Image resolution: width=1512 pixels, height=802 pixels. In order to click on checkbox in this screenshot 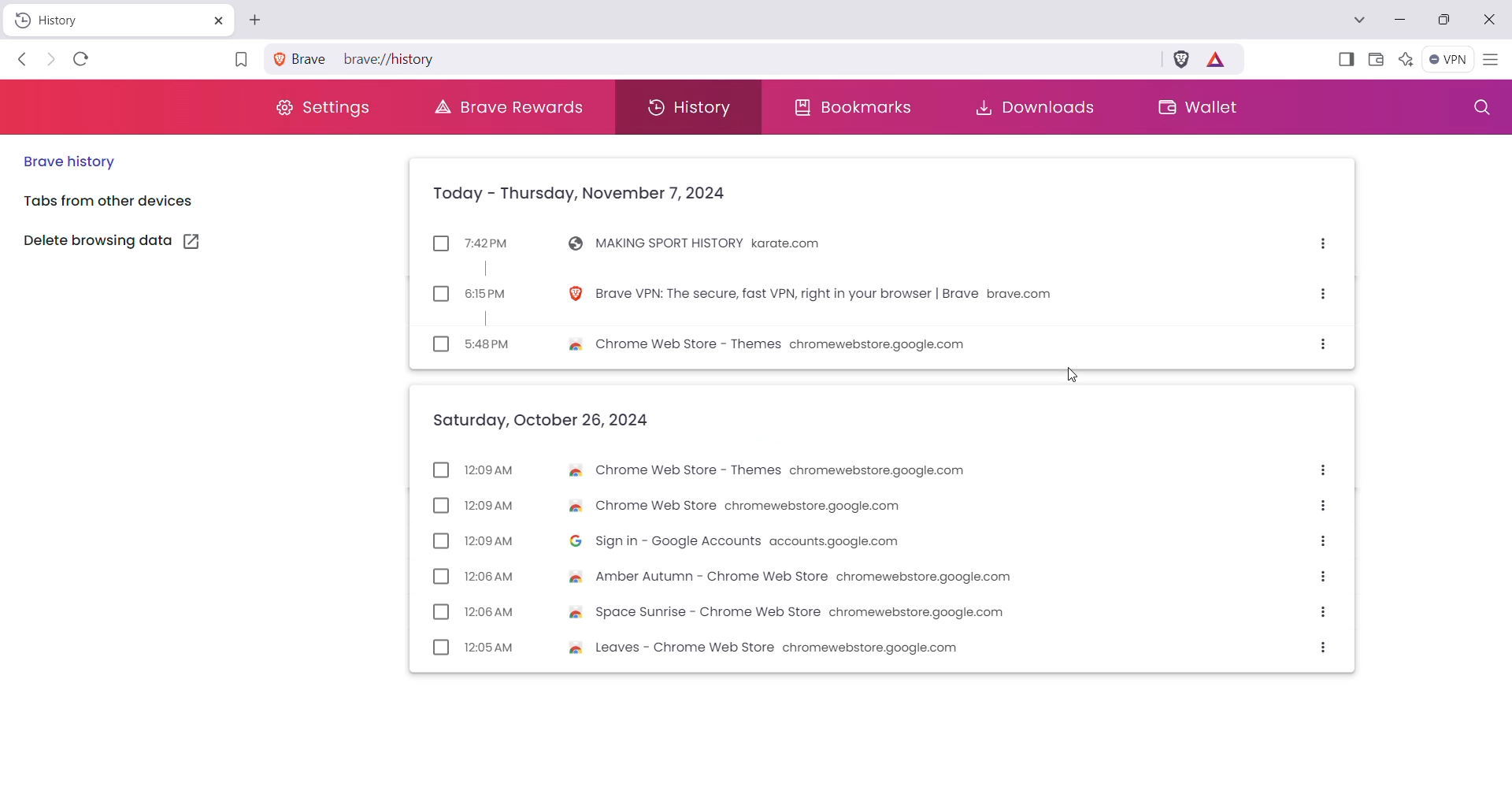, I will do `click(434, 292)`.